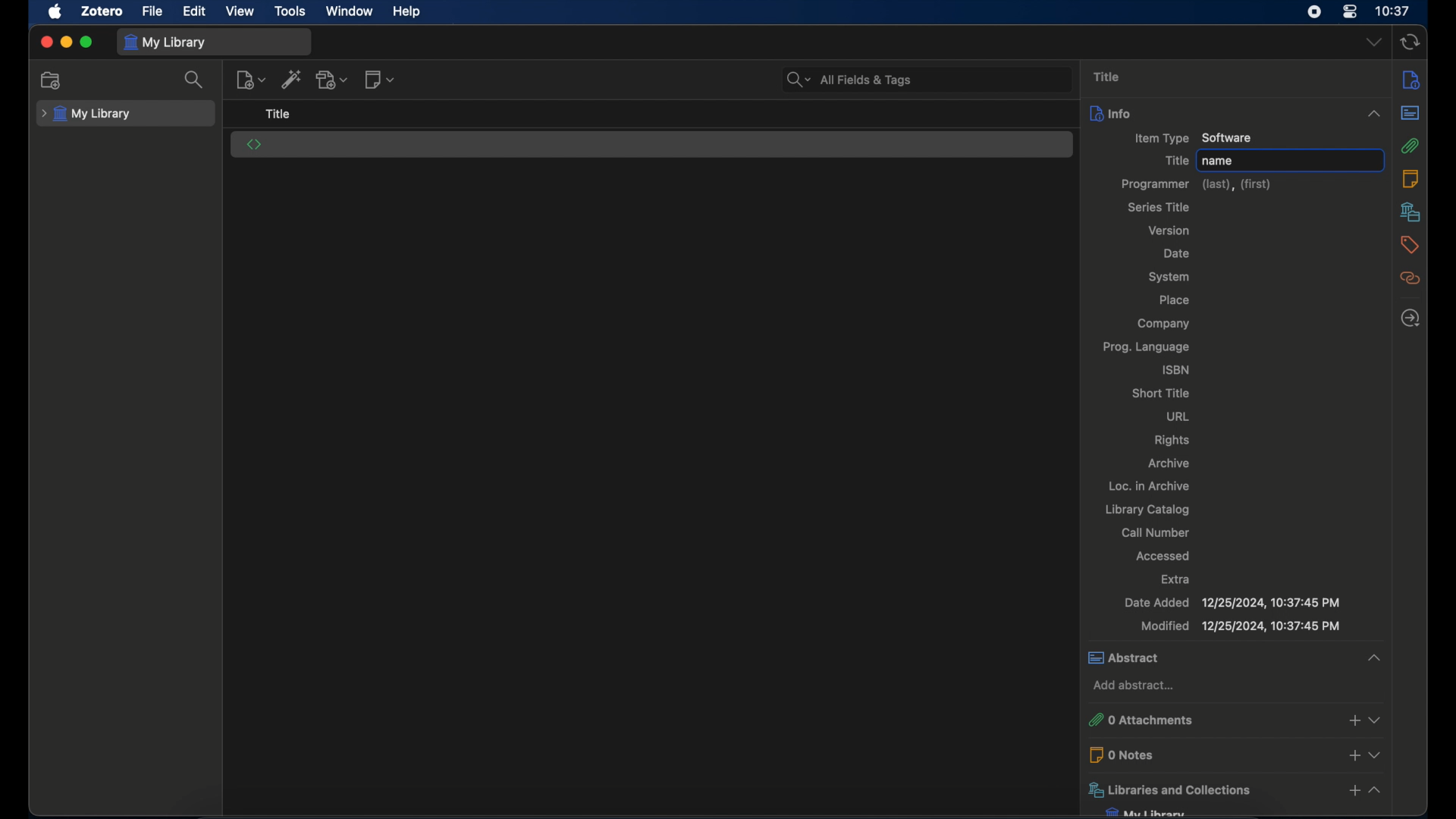 The width and height of the screenshot is (1456, 819). Describe the element at coordinates (65, 43) in the screenshot. I see `minimize` at that location.